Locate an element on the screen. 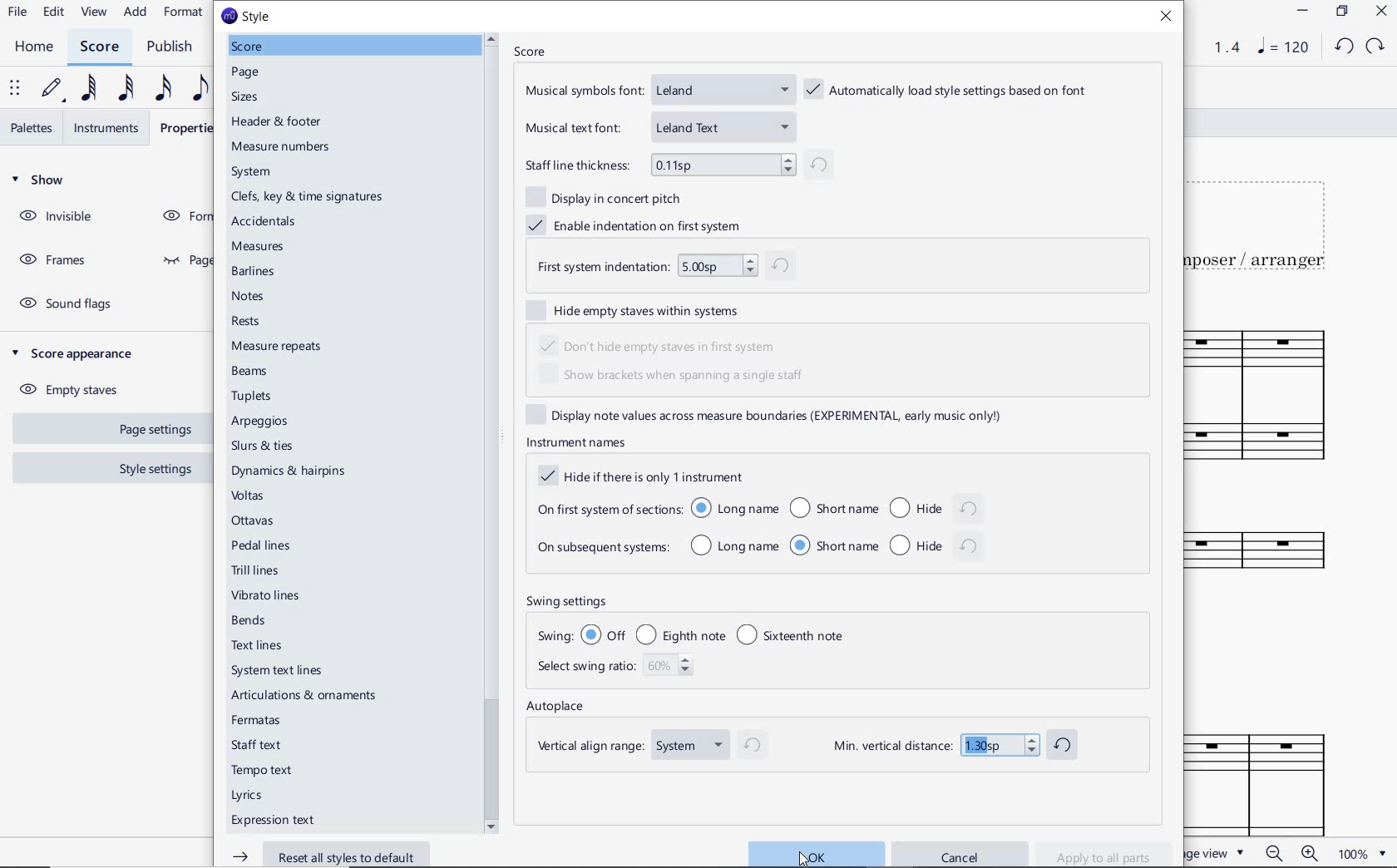 Image resolution: width=1397 pixels, height=868 pixels. REDO is located at coordinates (1374, 47).